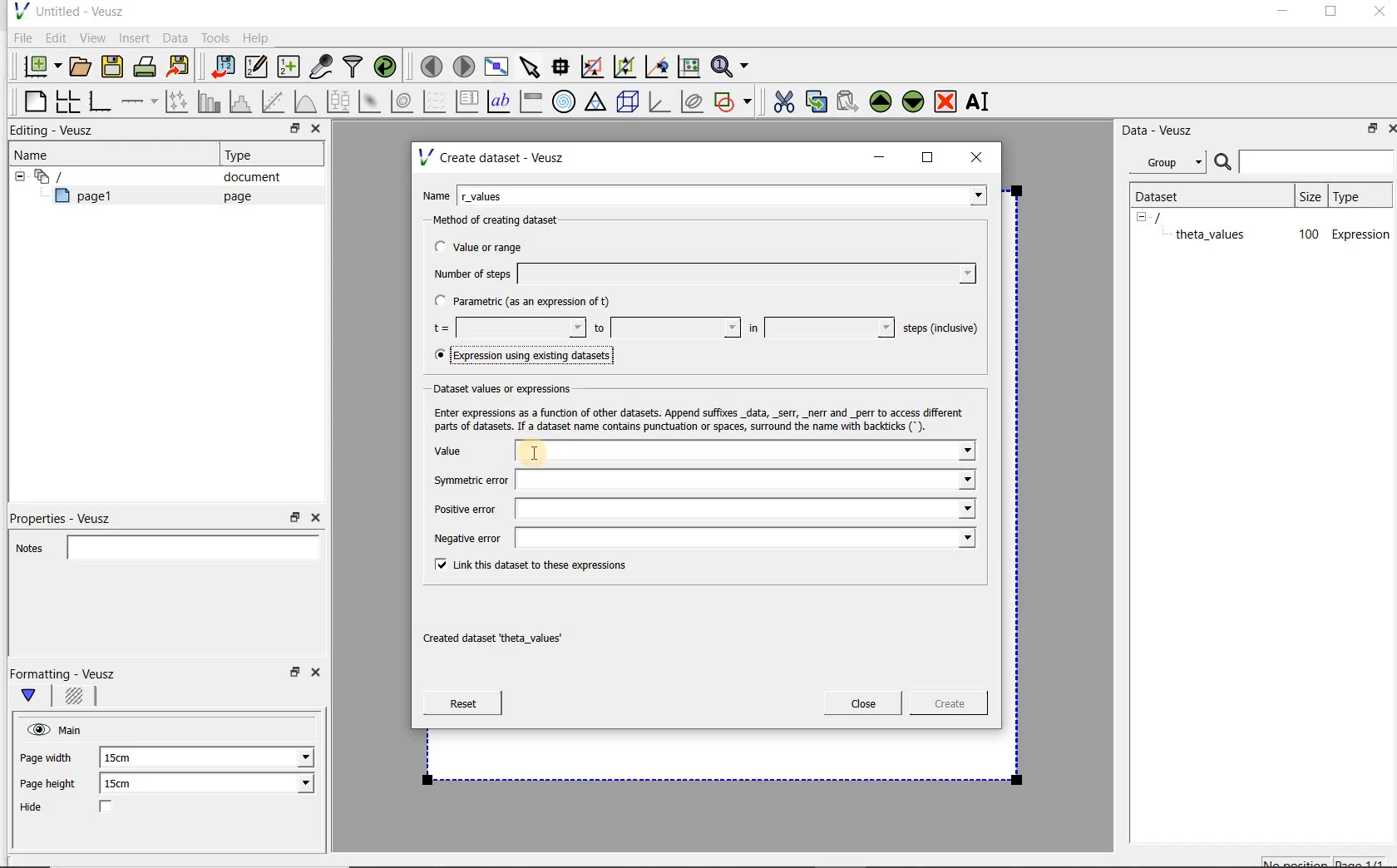 This screenshot has height=868, width=1397. Describe the element at coordinates (527, 564) in the screenshot. I see `Link this dataset to these expressions` at that location.